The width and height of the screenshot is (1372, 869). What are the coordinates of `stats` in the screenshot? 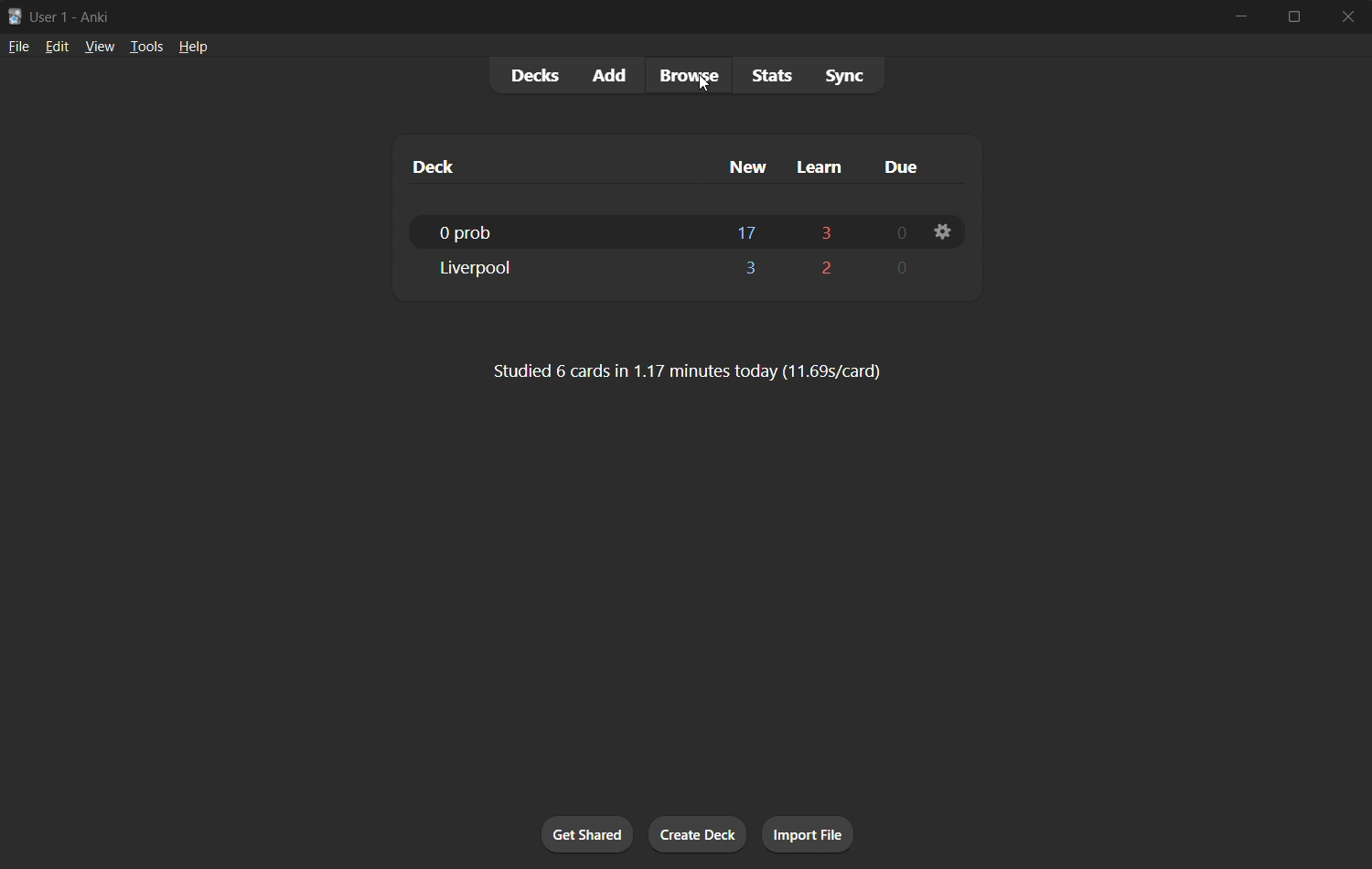 It's located at (775, 75).